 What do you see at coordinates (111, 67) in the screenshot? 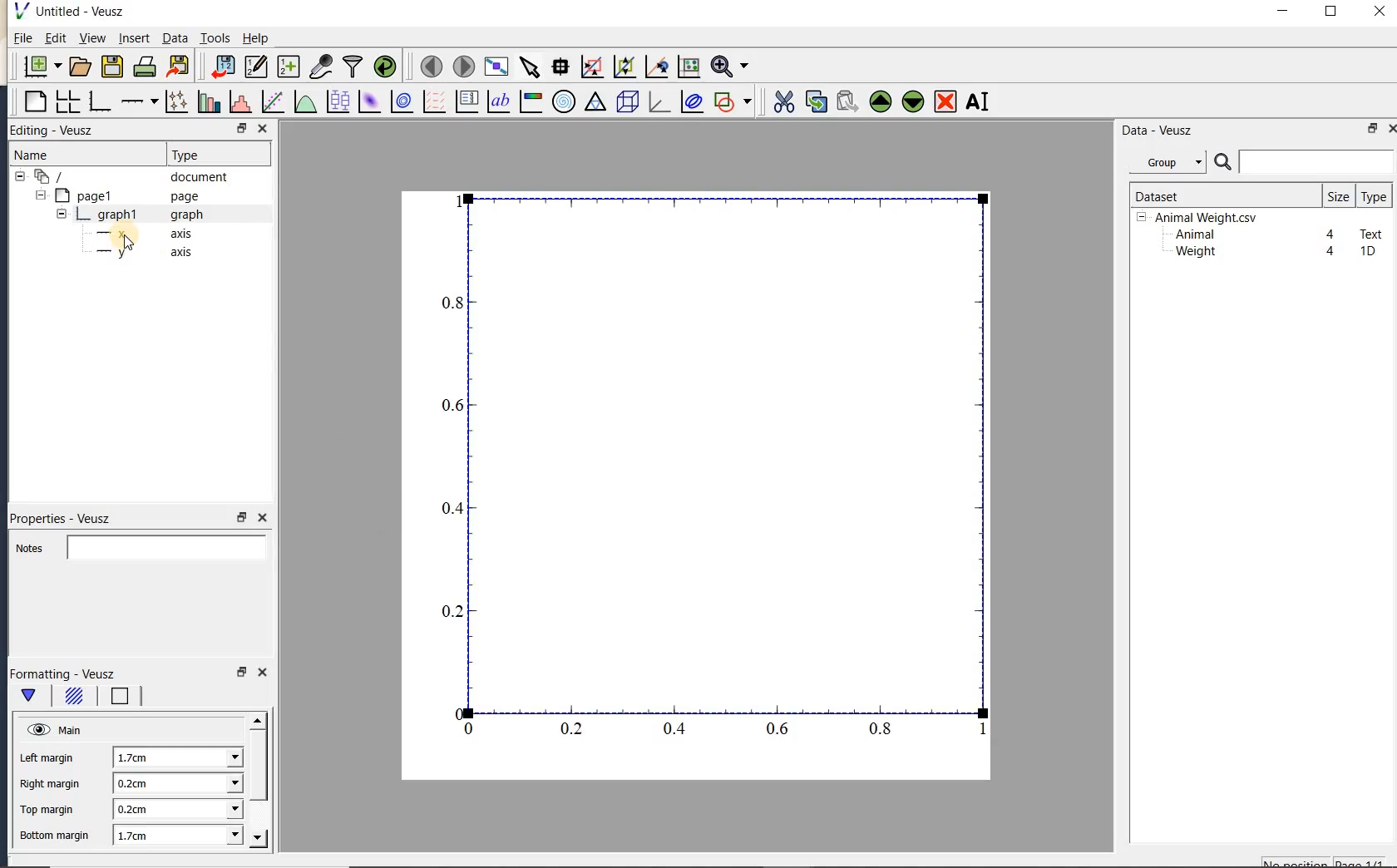
I see `save the document` at bounding box center [111, 67].